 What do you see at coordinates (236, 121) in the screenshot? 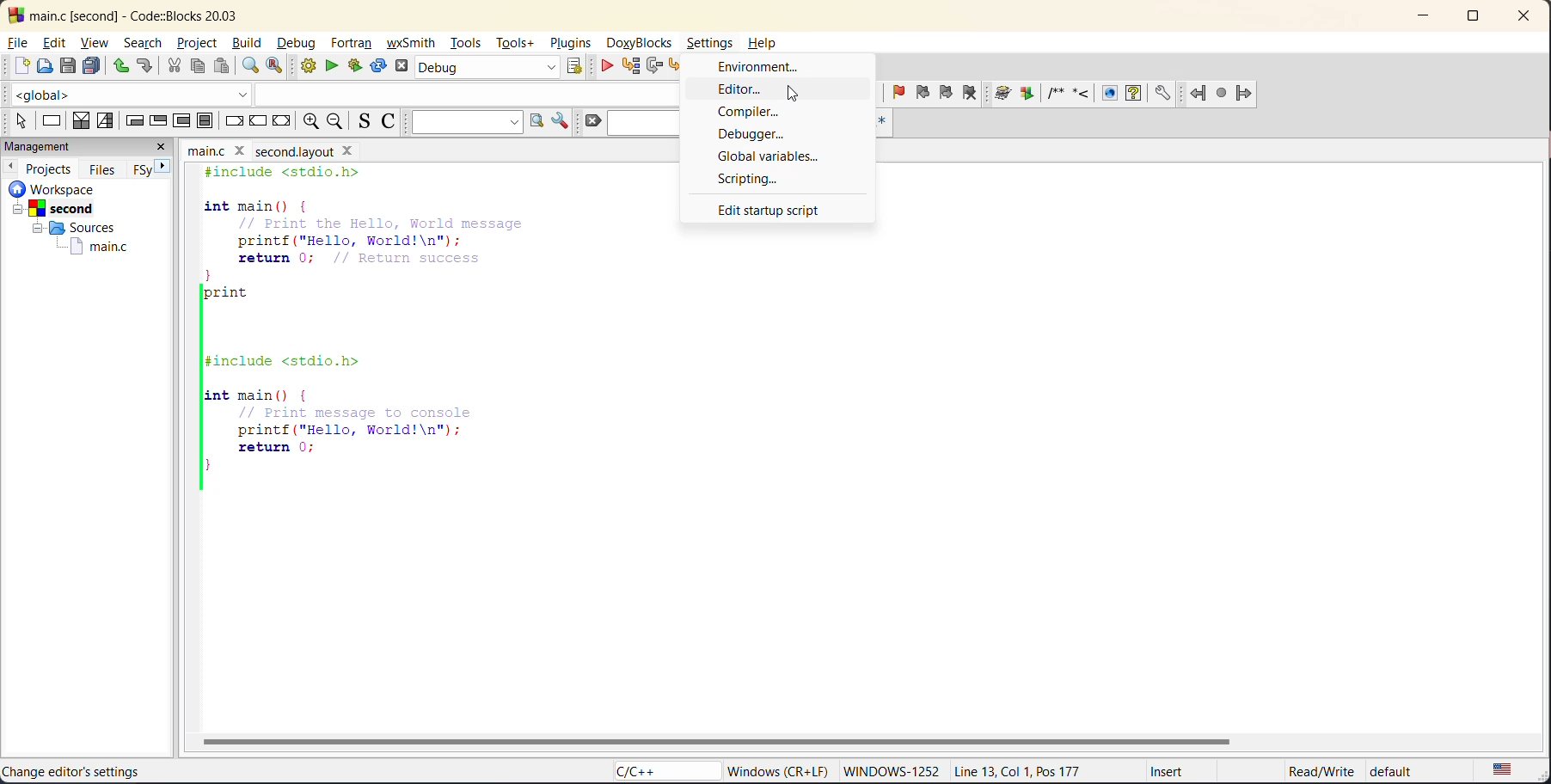
I see `break instruction` at bounding box center [236, 121].